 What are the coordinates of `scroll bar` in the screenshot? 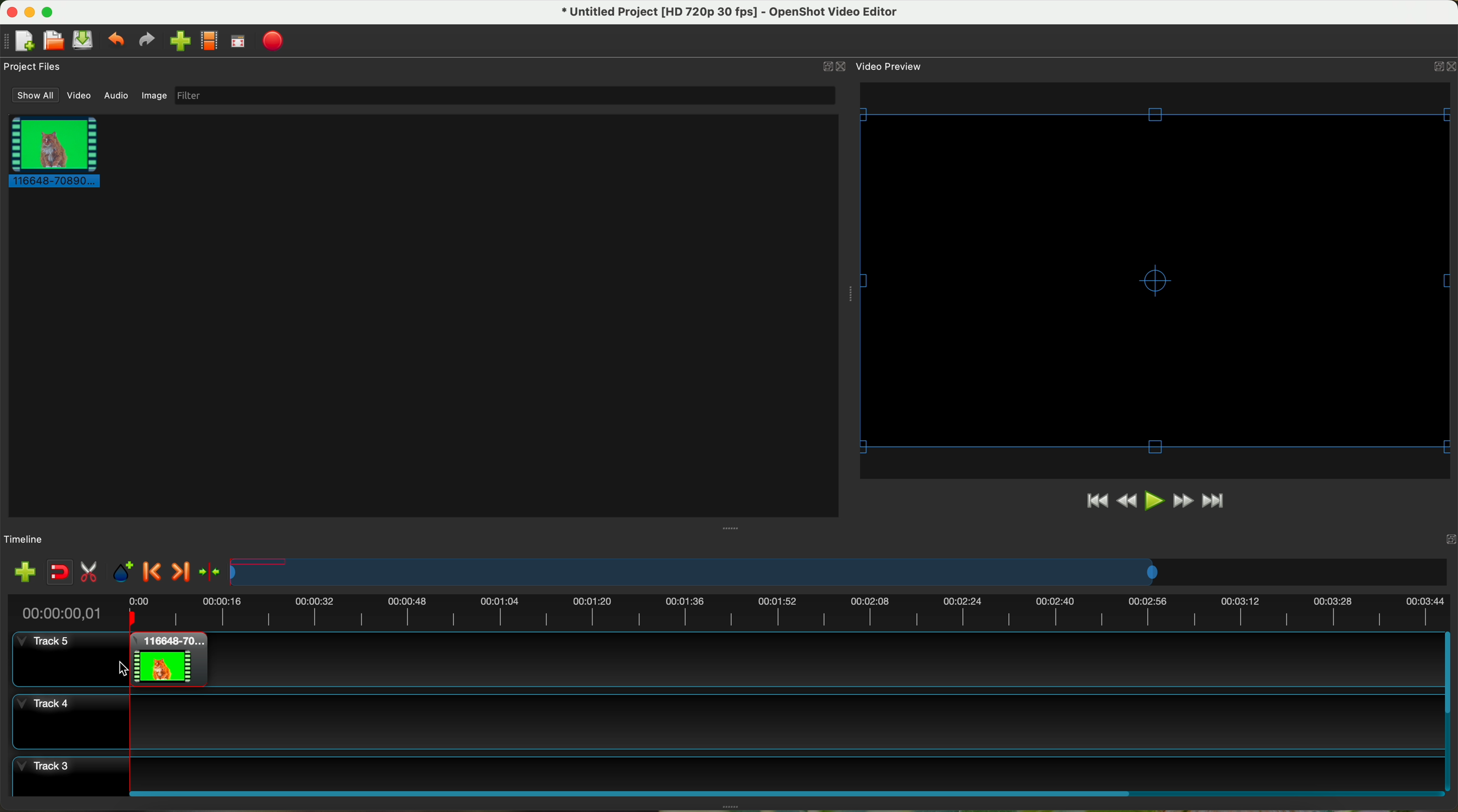 It's located at (1449, 711).